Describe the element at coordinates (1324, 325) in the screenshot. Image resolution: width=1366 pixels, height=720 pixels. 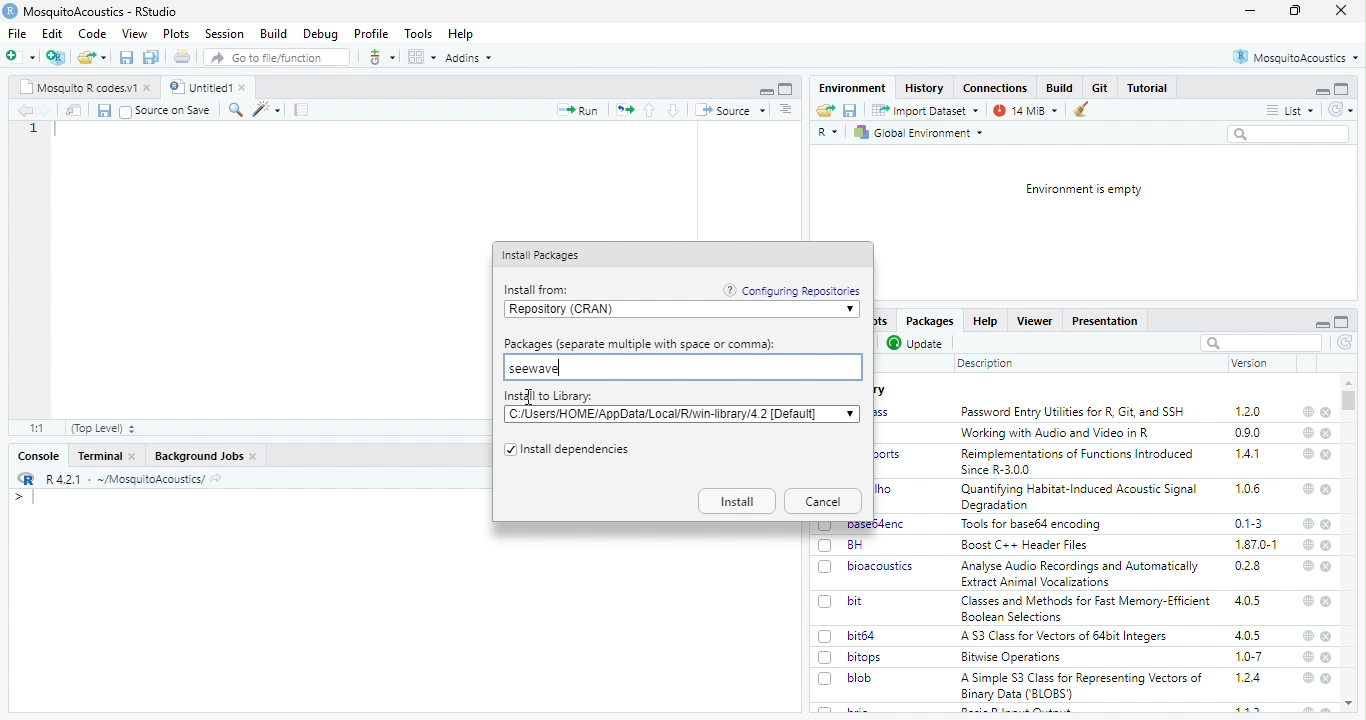
I see `minimise` at that location.